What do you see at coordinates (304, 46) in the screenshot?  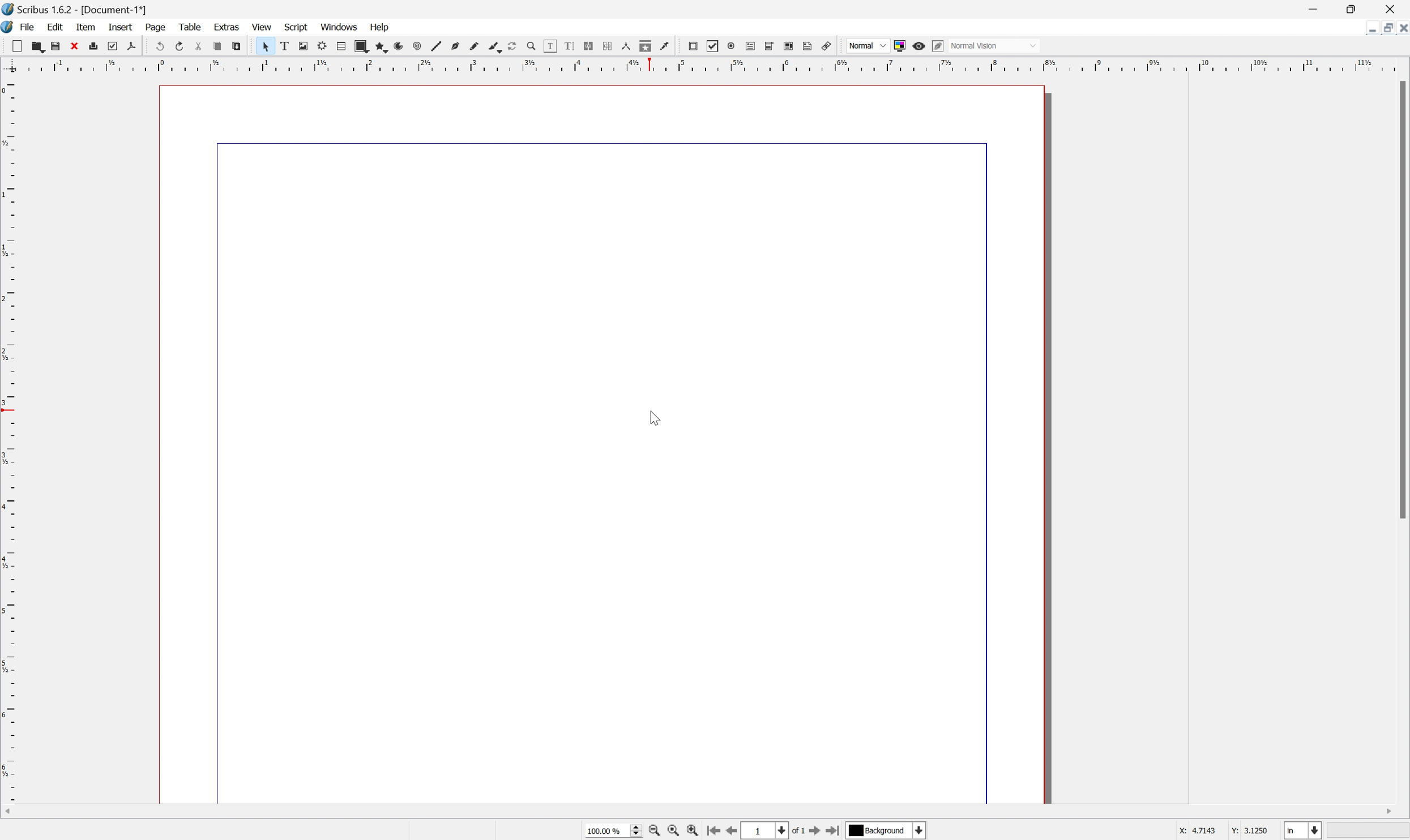 I see `image frame` at bounding box center [304, 46].